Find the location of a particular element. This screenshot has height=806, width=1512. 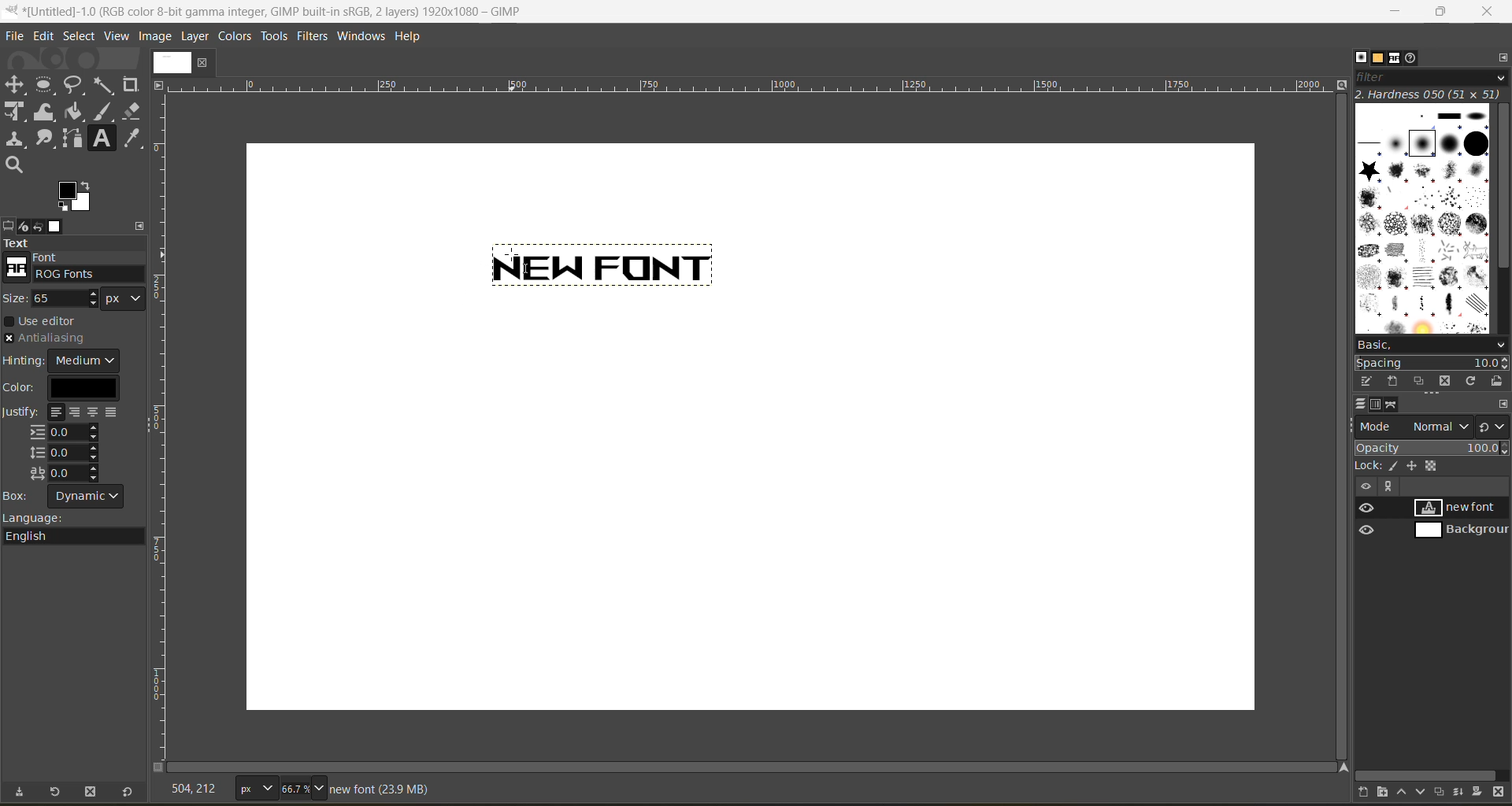

raise this layer is located at coordinates (1403, 793).